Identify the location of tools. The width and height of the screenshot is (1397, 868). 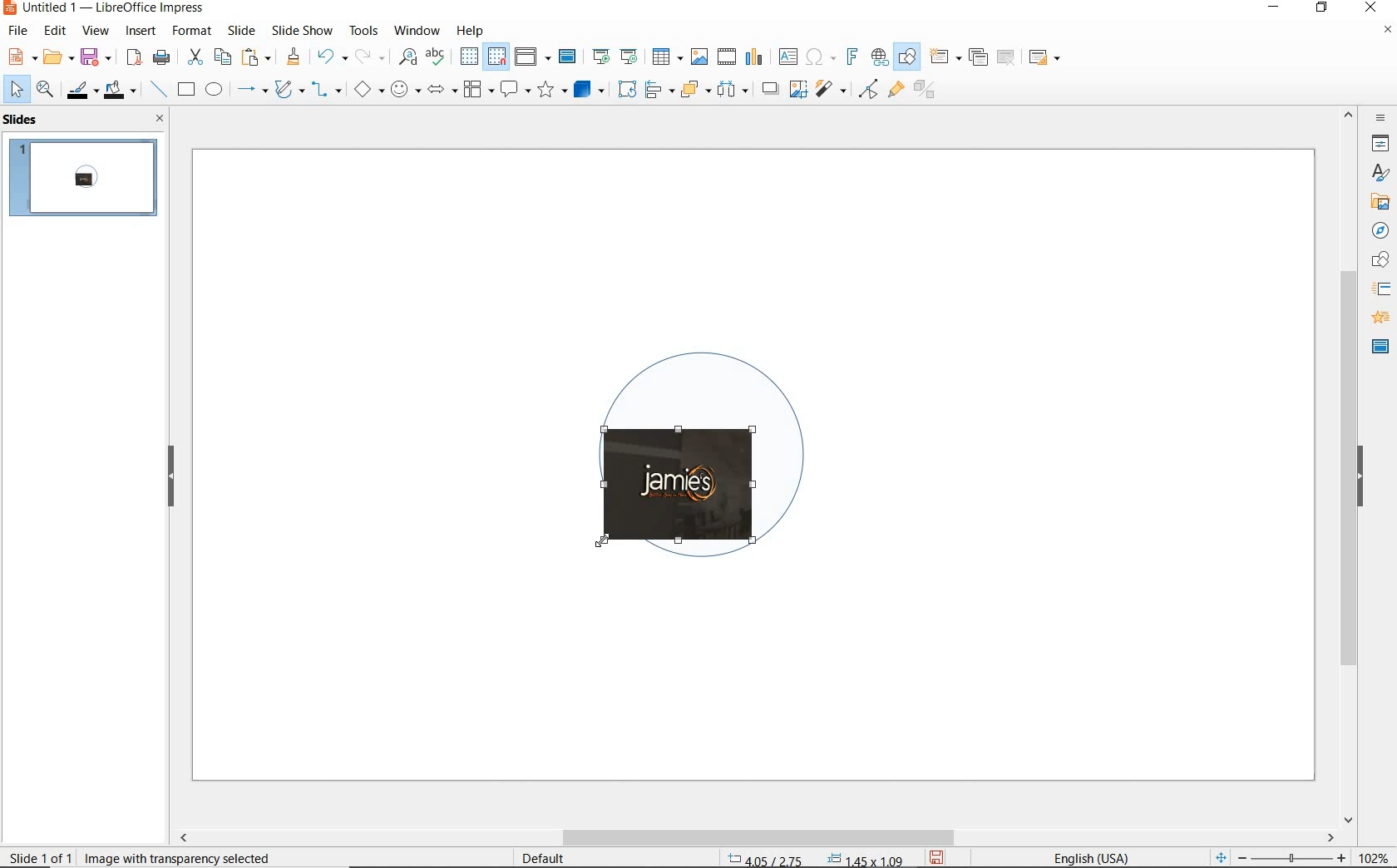
(363, 30).